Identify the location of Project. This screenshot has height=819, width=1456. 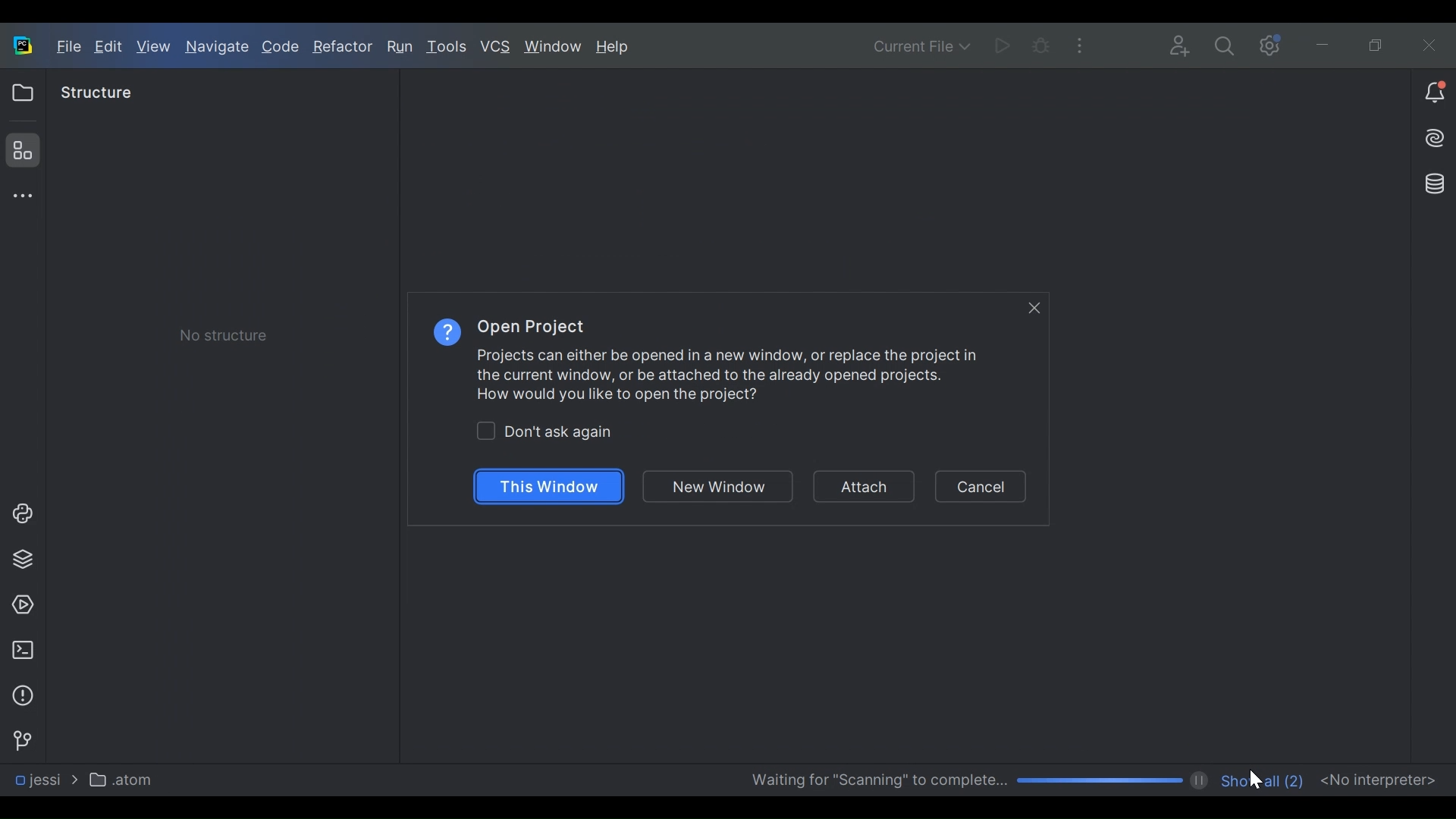
(211, 89).